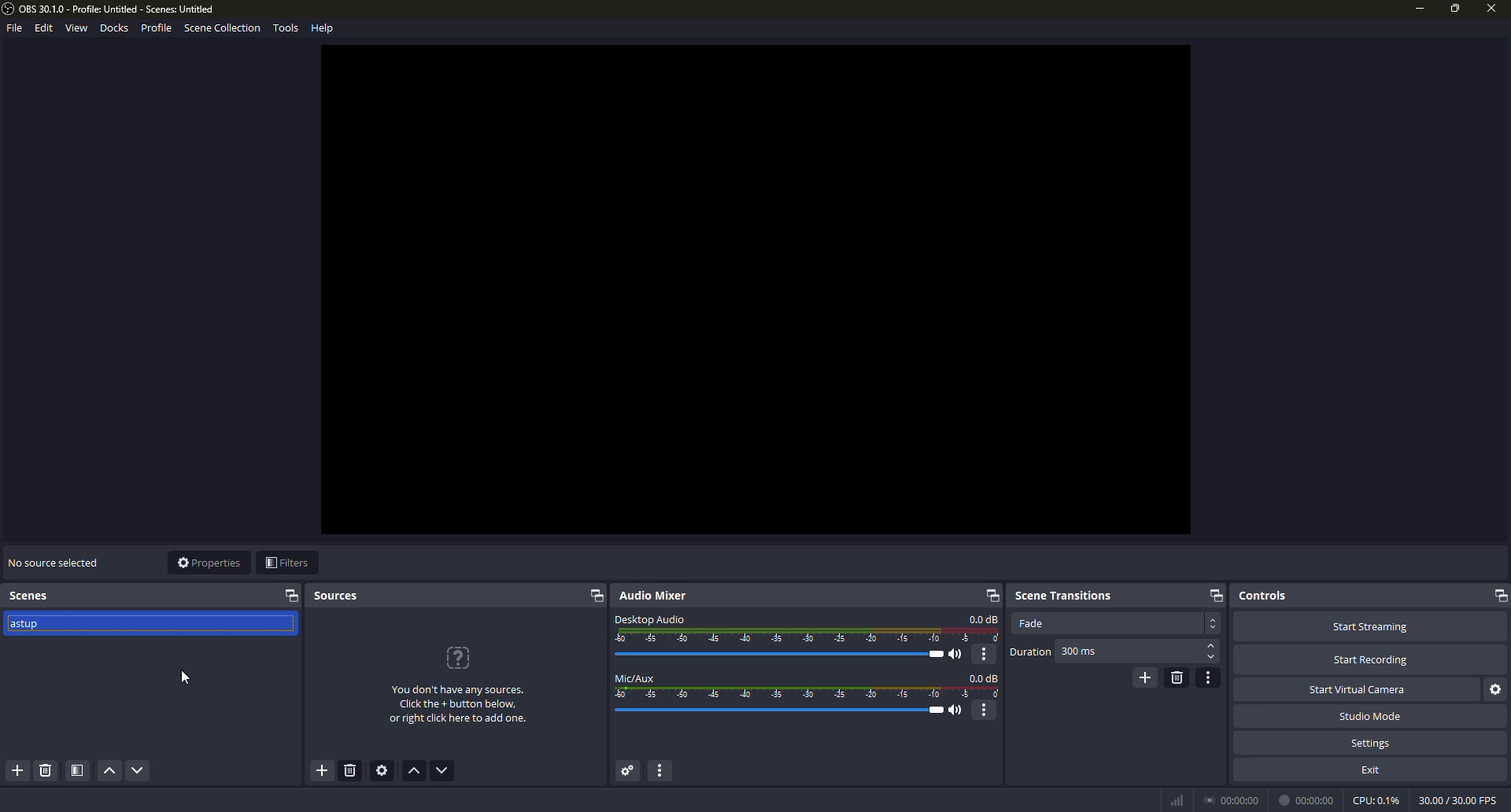 The width and height of the screenshot is (1511, 812). Describe the element at coordinates (45, 771) in the screenshot. I see `remove selected scene` at that location.